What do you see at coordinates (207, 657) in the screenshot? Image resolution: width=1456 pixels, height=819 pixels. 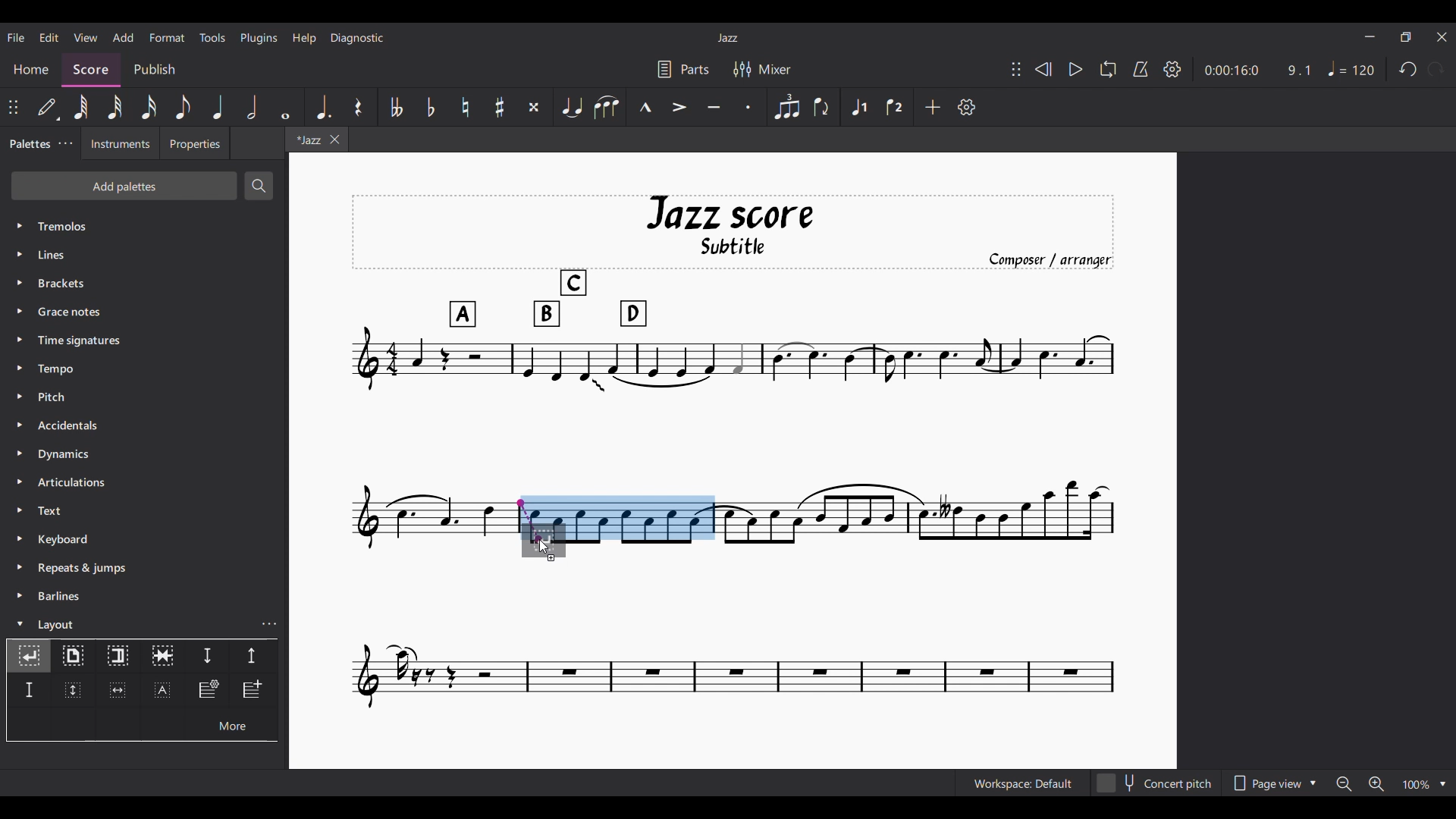 I see `staff spacer down` at bounding box center [207, 657].